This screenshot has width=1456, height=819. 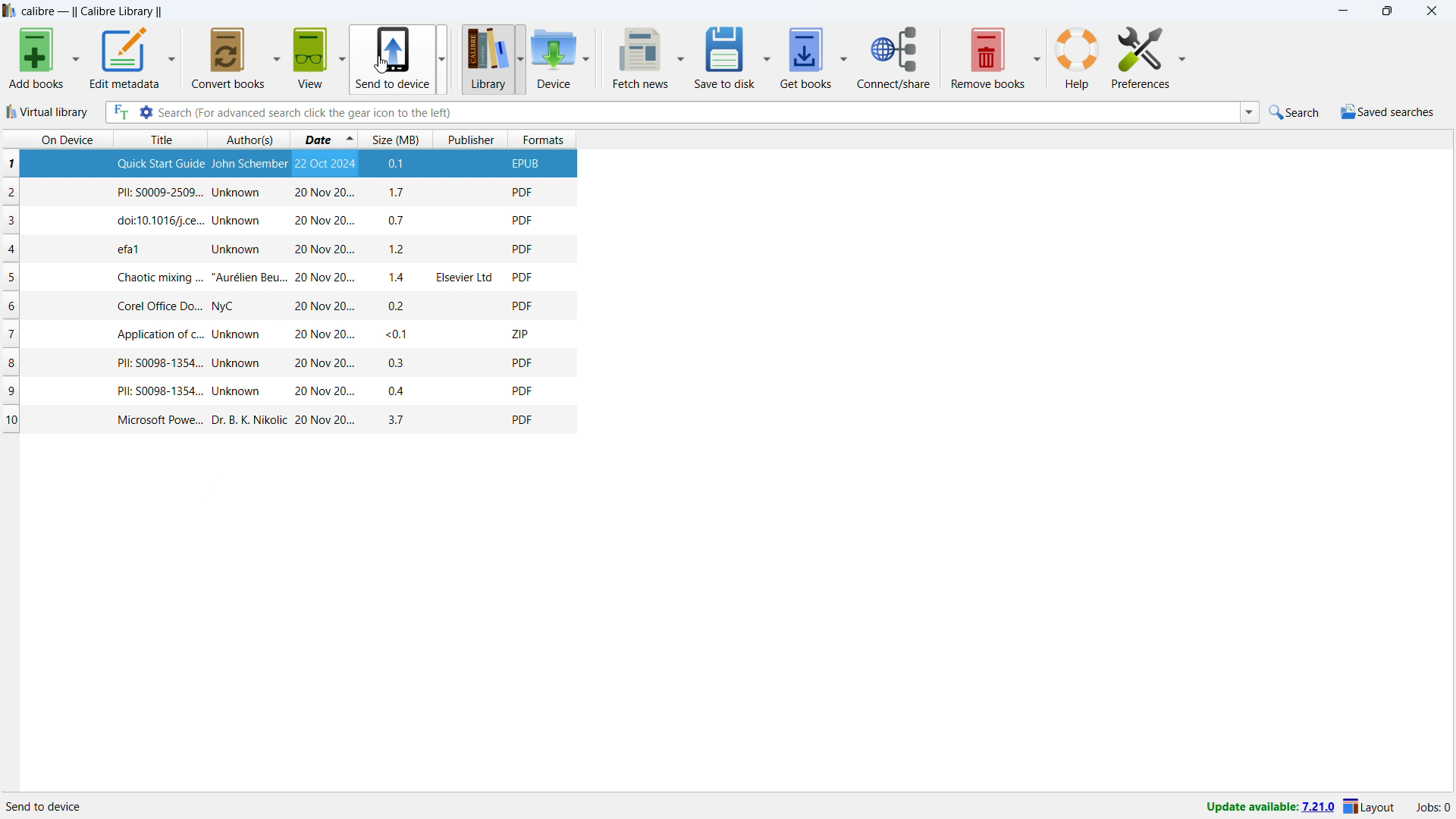 What do you see at coordinates (118, 112) in the screenshot?
I see `full text search` at bounding box center [118, 112].